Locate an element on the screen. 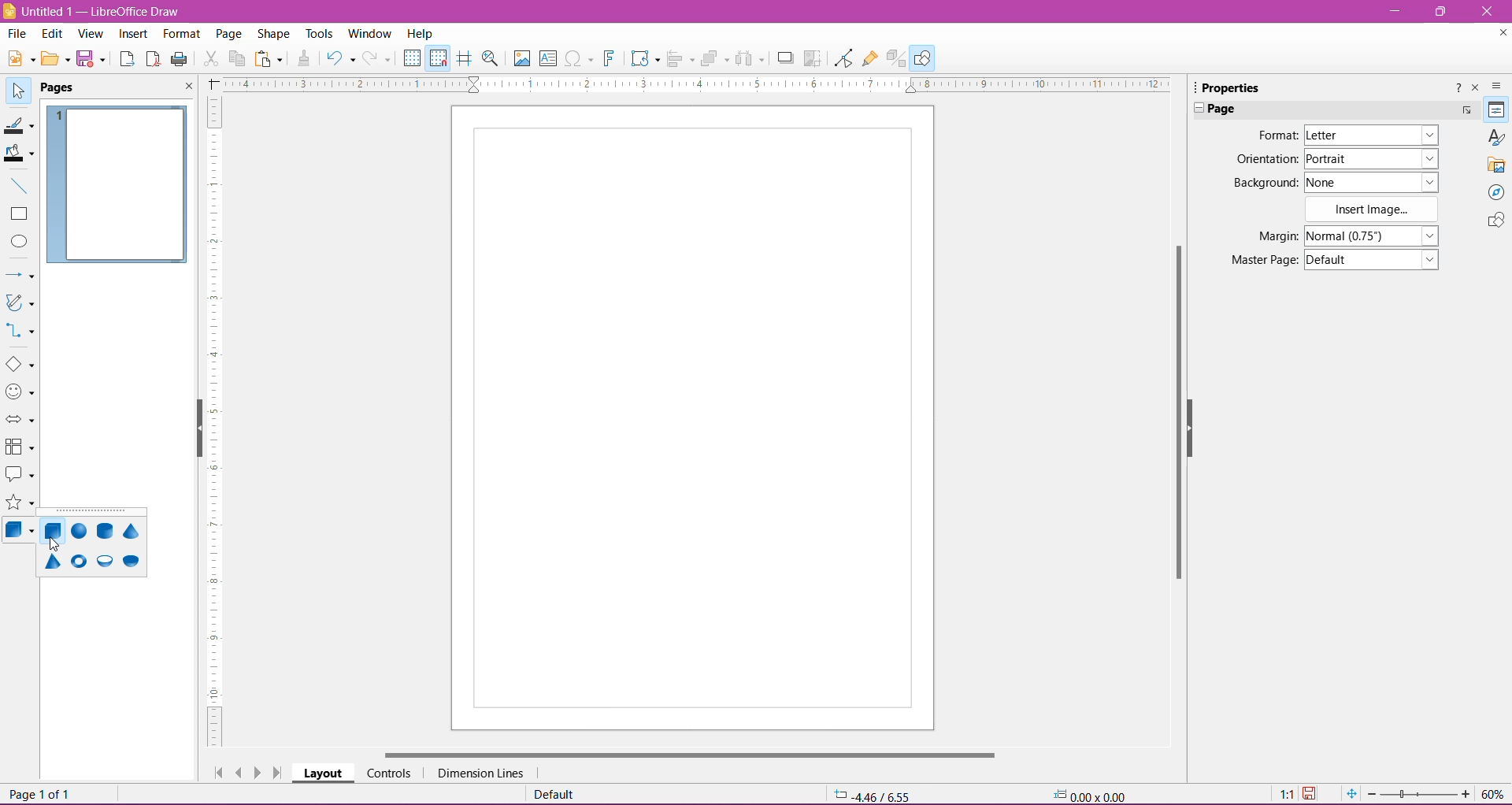 The width and height of the screenshot is (1512, 805). Set master page is located at coordinates (1373, 258).